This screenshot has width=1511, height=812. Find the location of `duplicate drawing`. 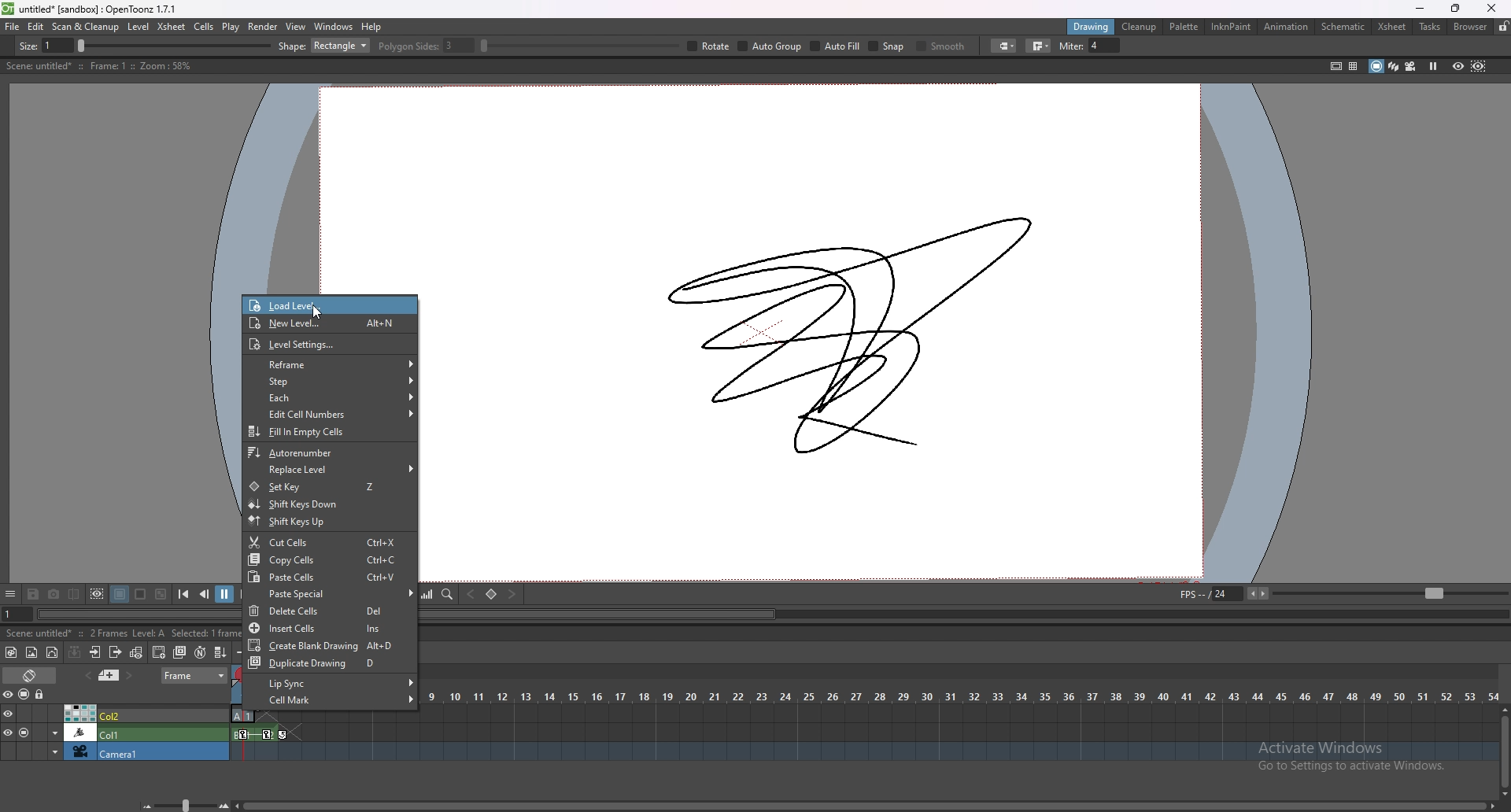

duplicate drawing is located at coordinates (181, 652).